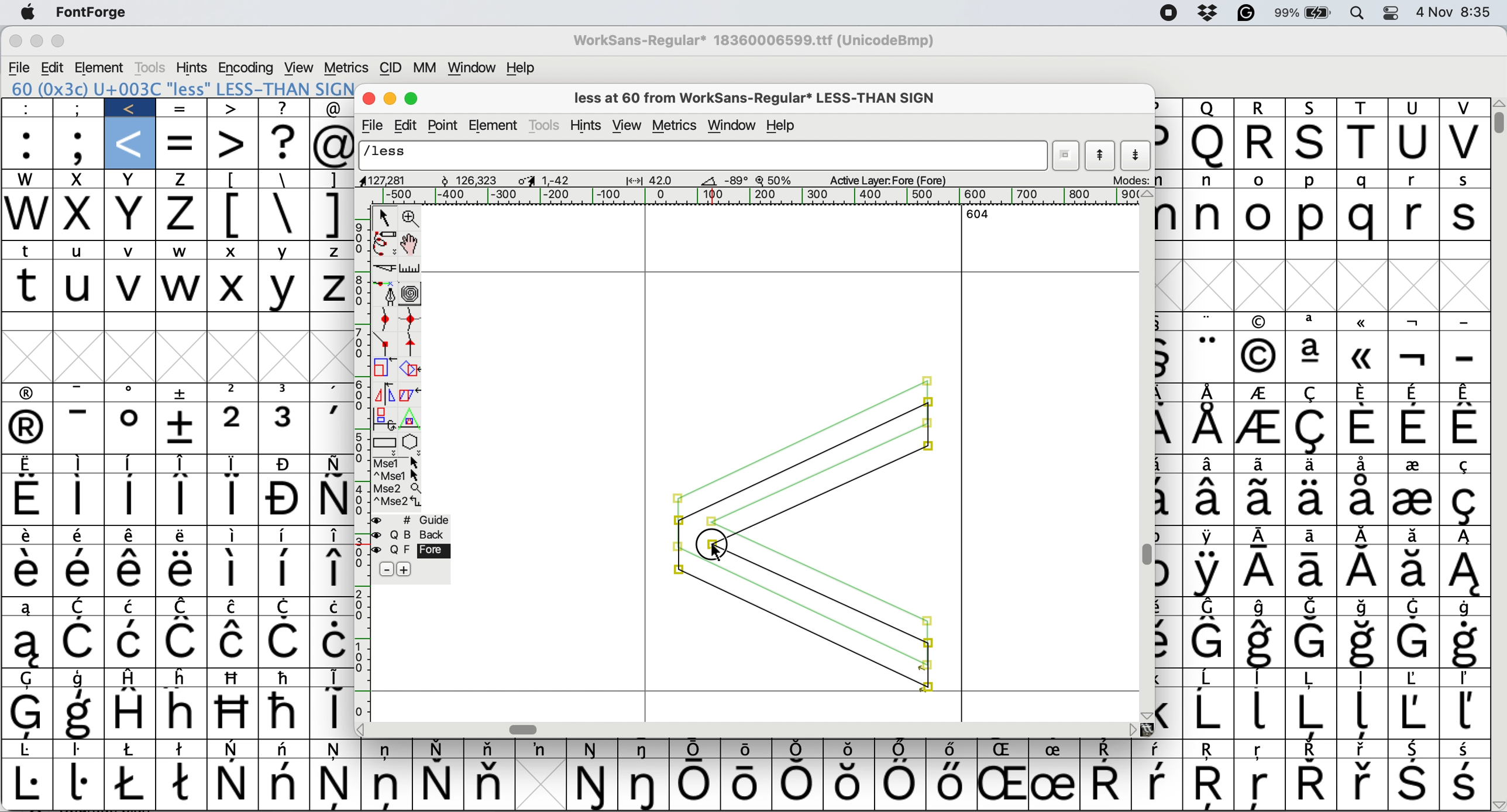 The height and width of the screenshot is (812, 1507). What do you see at coordinates (287, 426) in the screenshot?
I see `3` at bounding box center [287, 426].